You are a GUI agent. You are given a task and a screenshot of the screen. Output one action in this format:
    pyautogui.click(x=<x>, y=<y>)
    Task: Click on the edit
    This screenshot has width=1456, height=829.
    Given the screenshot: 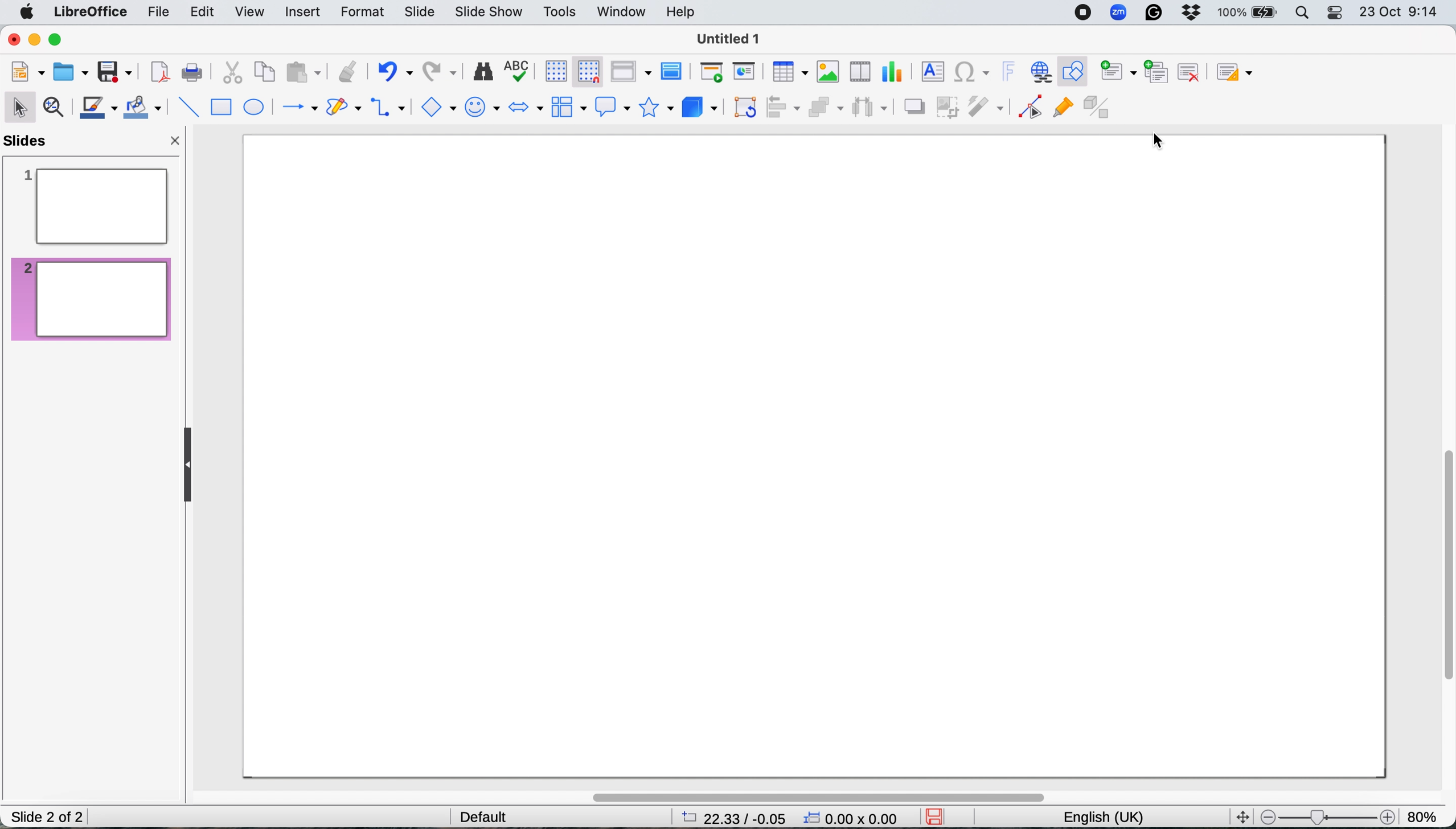 What is the action you would take?
    pyautogui.click(x=205, y=13)
    